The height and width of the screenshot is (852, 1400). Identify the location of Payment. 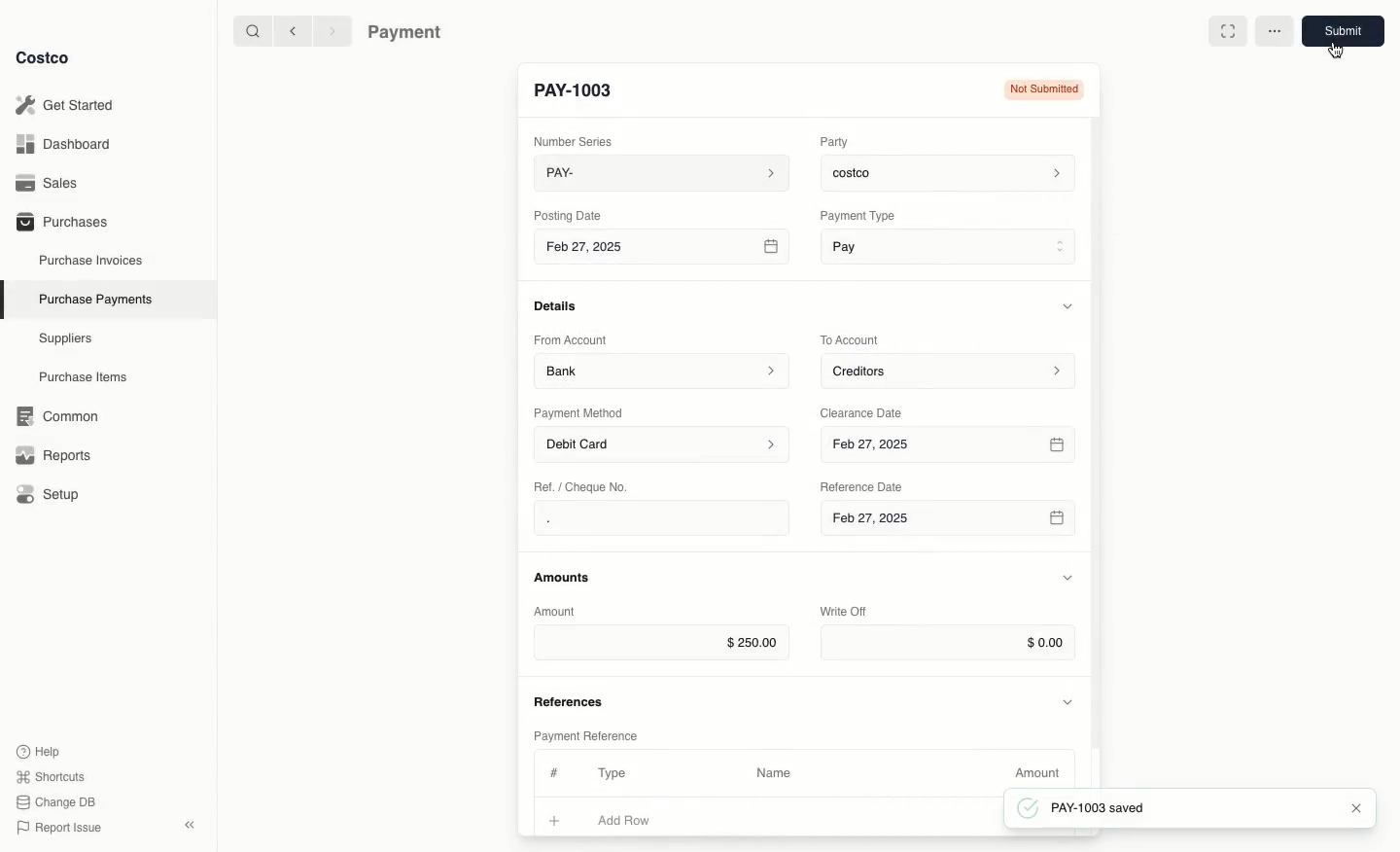
(409, 34).